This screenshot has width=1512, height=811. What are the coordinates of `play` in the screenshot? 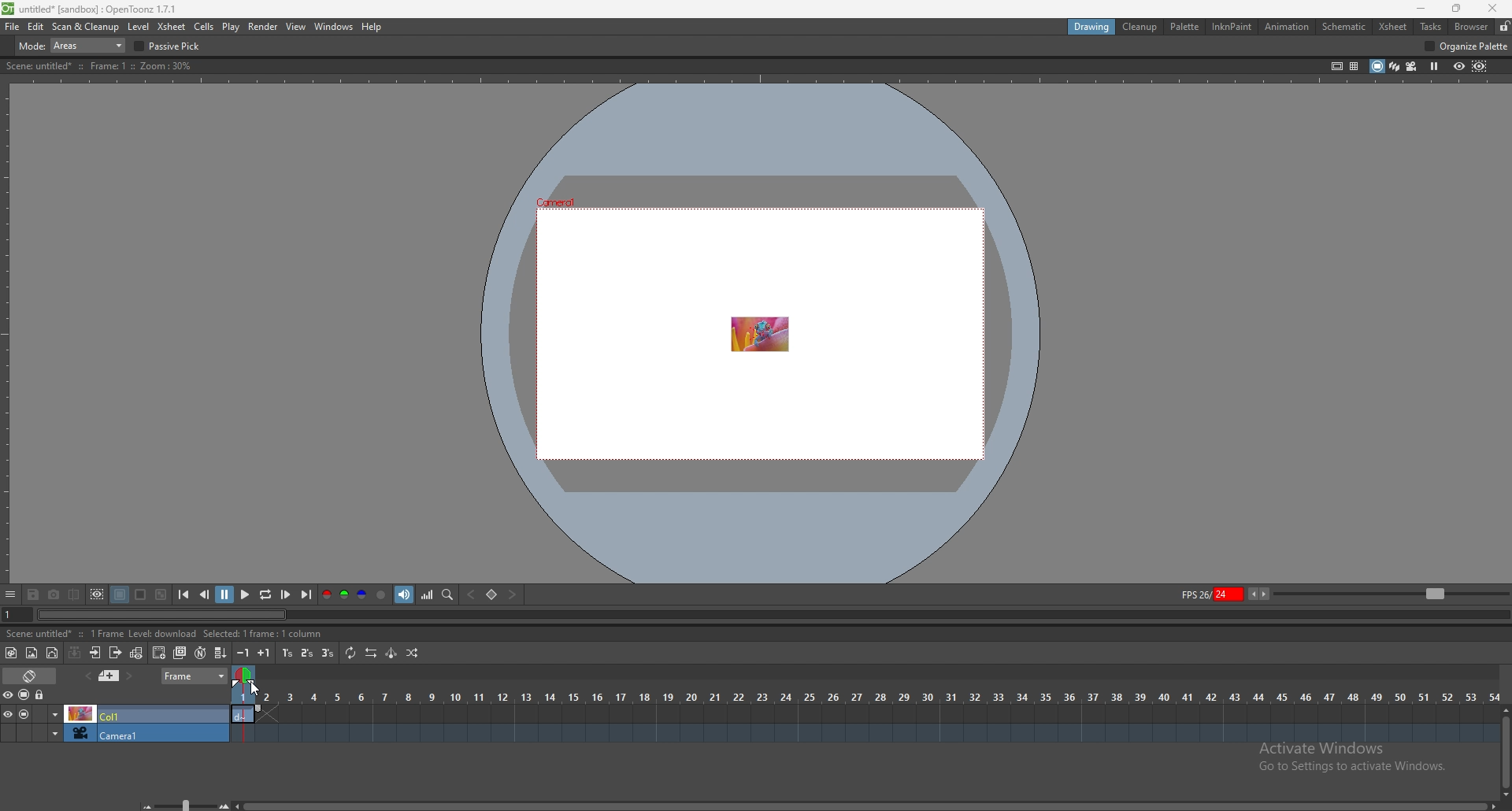 It's located at (246, 593).